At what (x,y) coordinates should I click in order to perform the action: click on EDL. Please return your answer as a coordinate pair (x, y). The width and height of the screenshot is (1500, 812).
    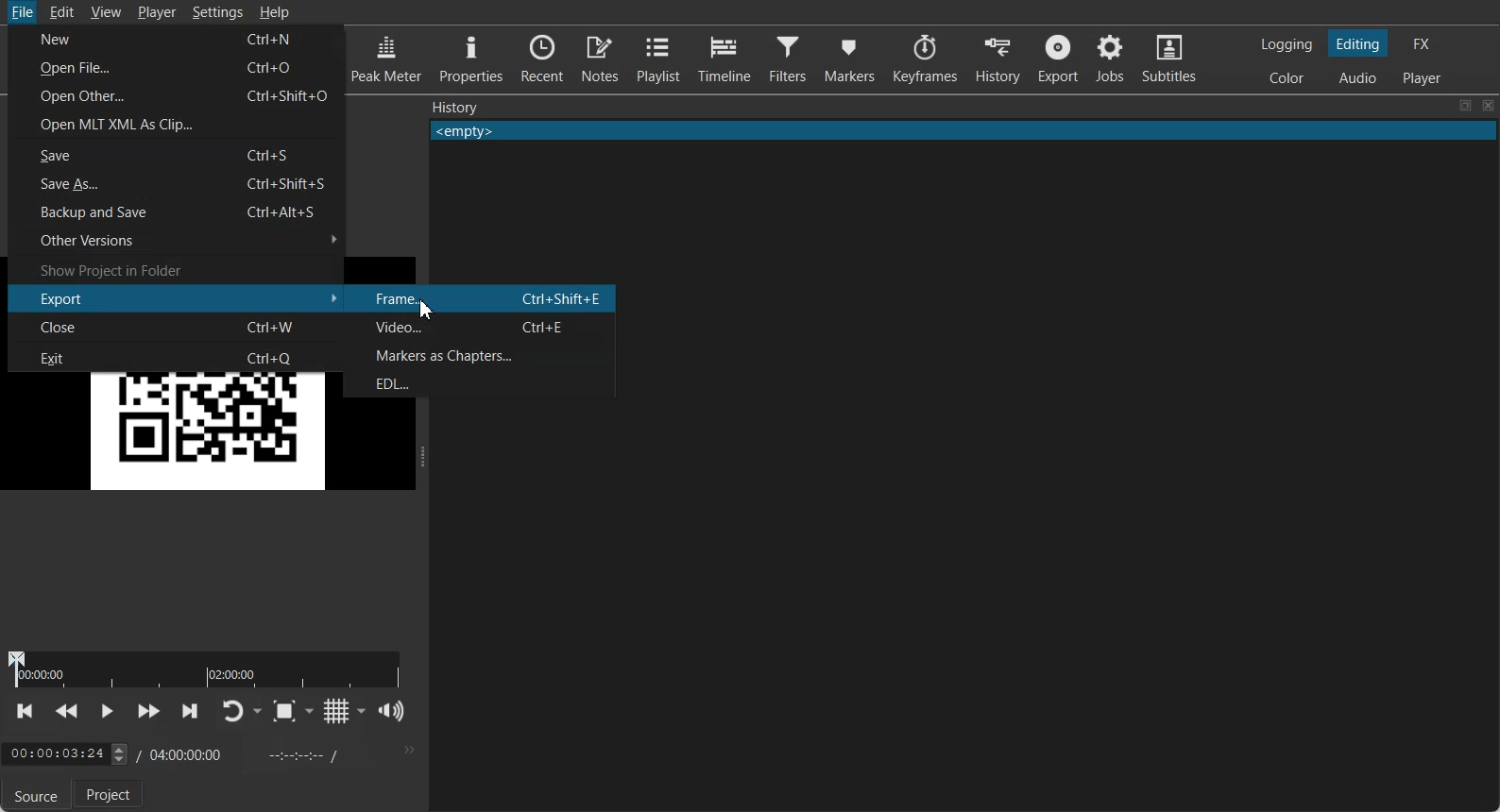
    Looking at the image, I should click on (485, 381).